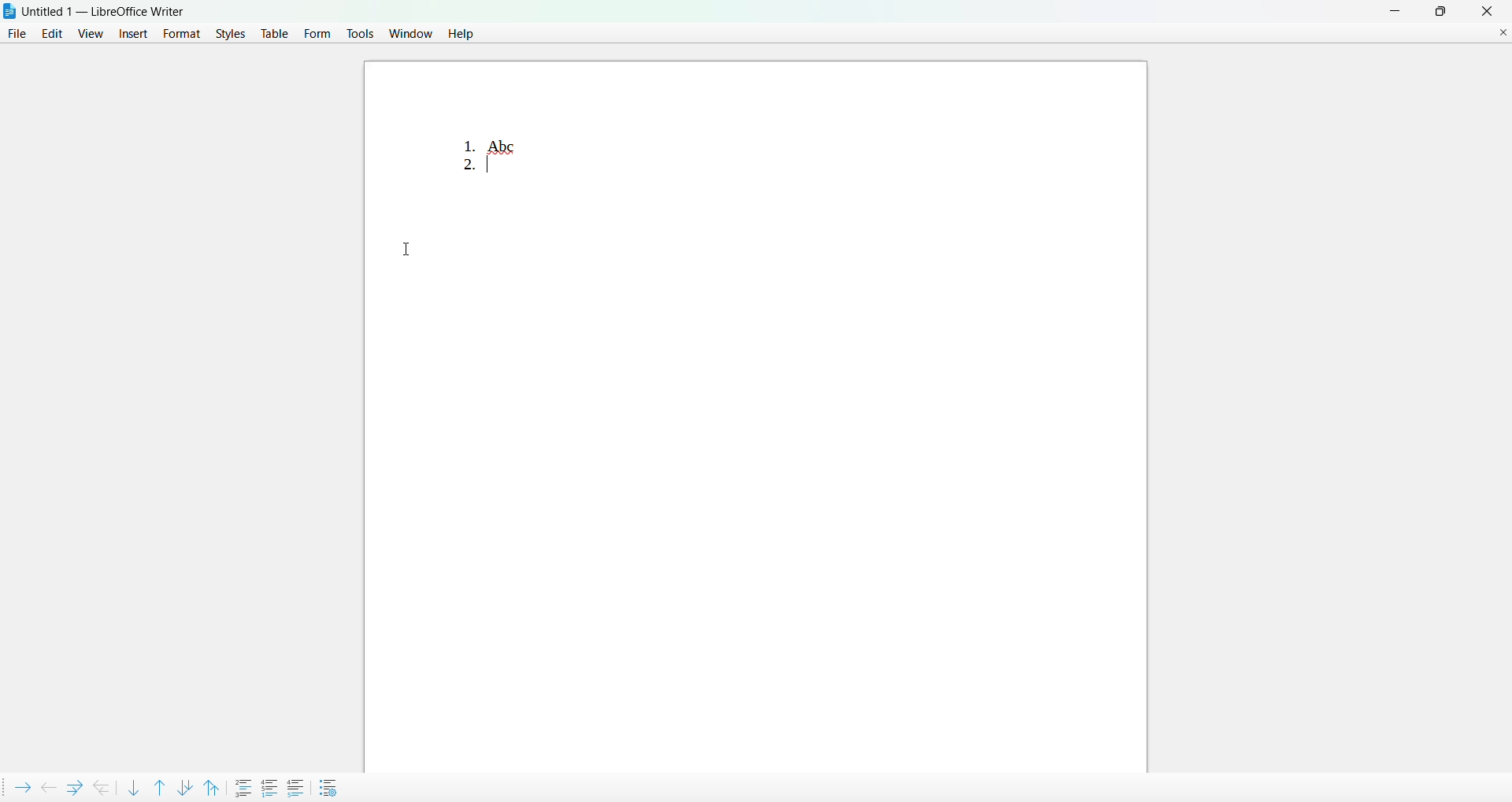  I want to click on Abc, so click(505, 146).